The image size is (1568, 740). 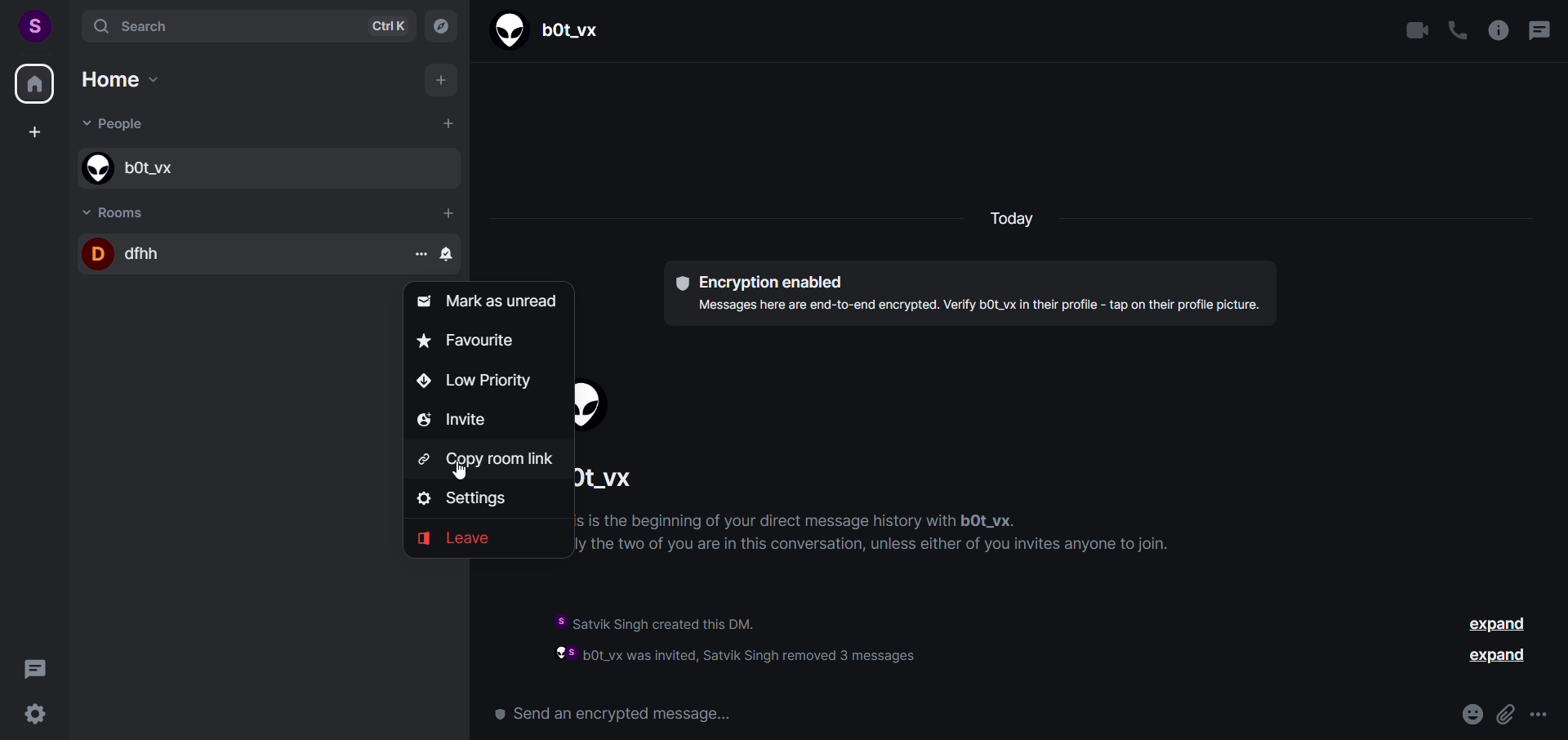 What do you see at coordinates (1418, 31) in the screenshot?
I see `video call` at bounding box center [1418, 31].